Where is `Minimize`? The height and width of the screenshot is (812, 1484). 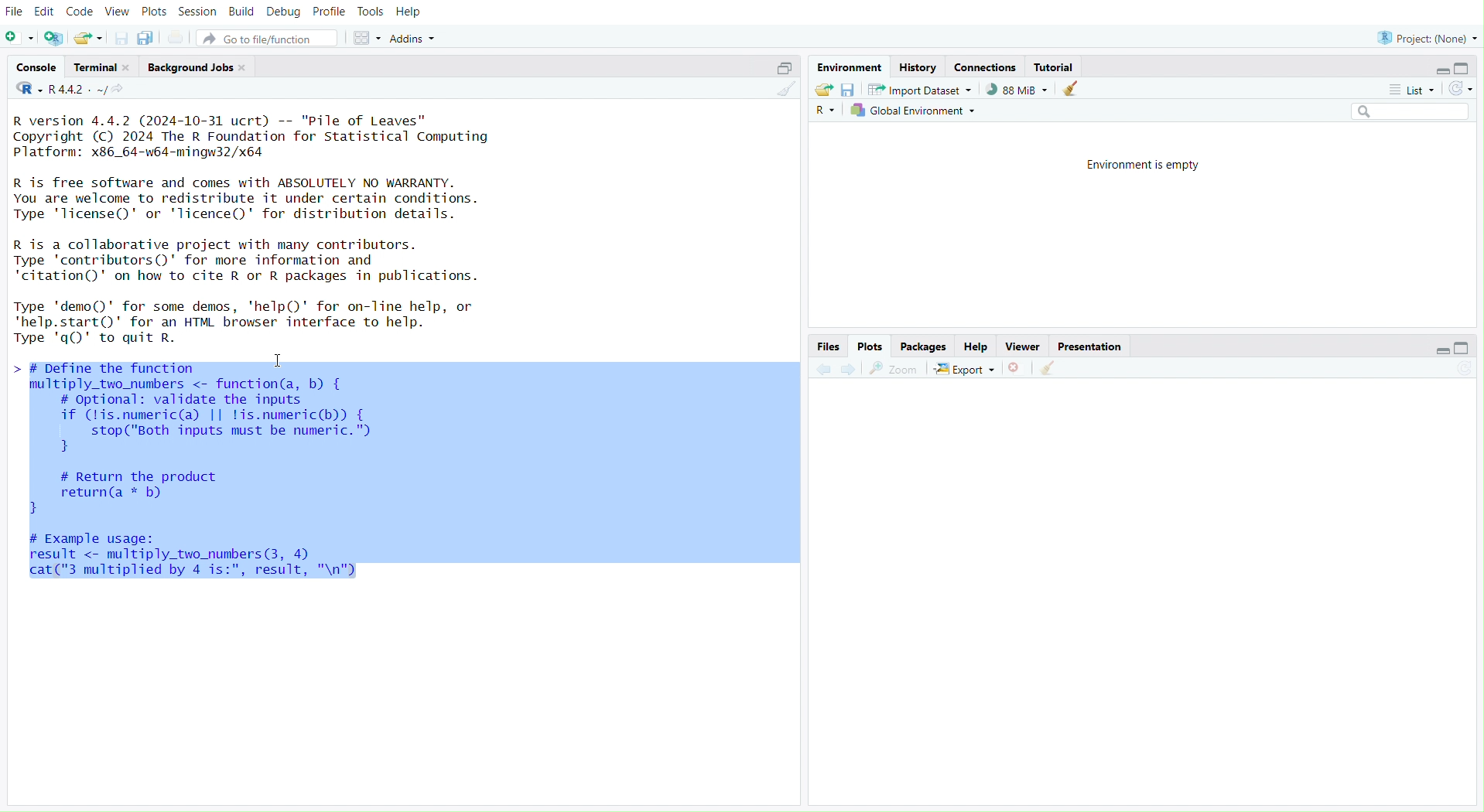
Minimize is located at coordinates (1438, 350).